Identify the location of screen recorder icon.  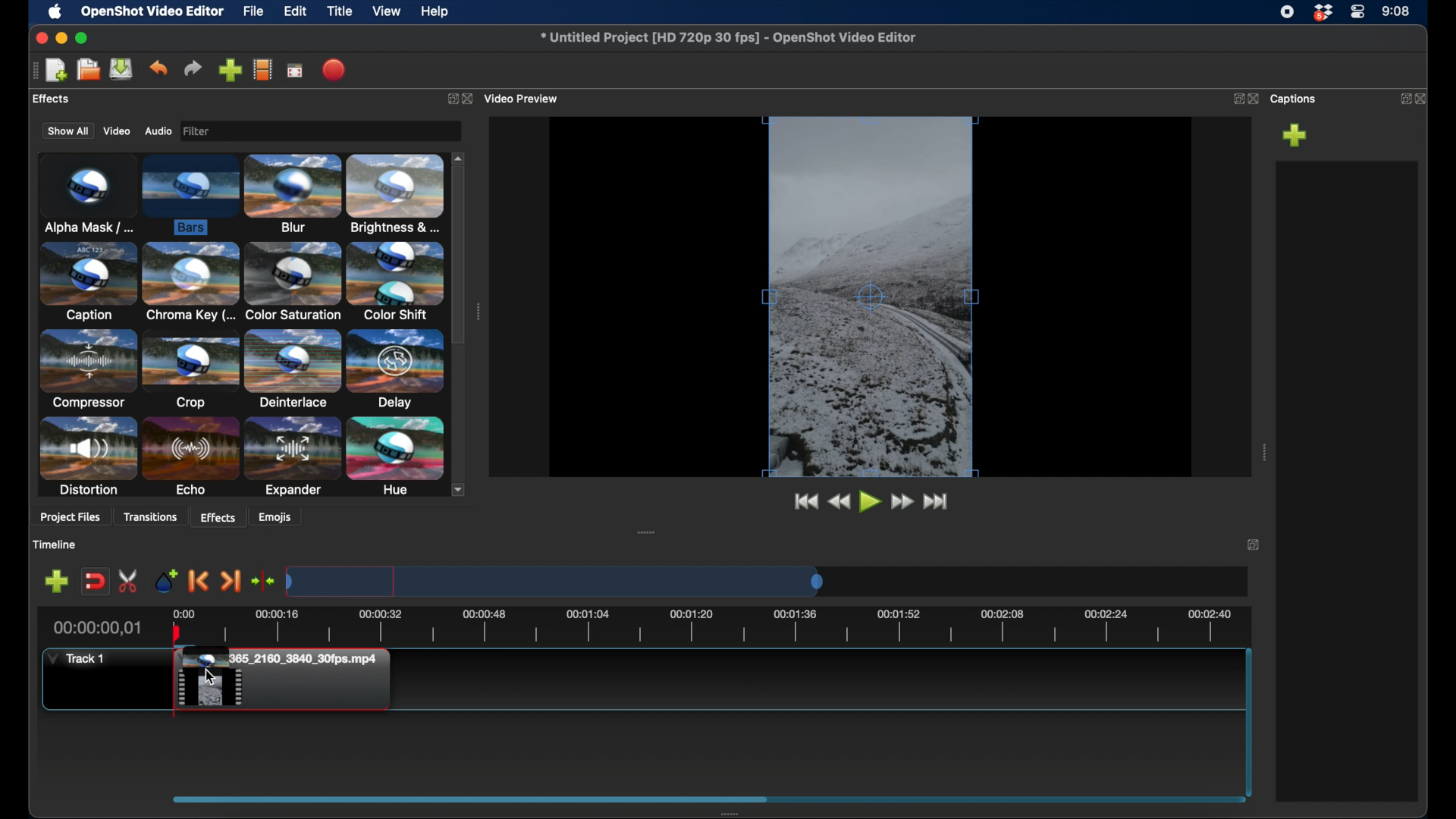
(1287, 12).